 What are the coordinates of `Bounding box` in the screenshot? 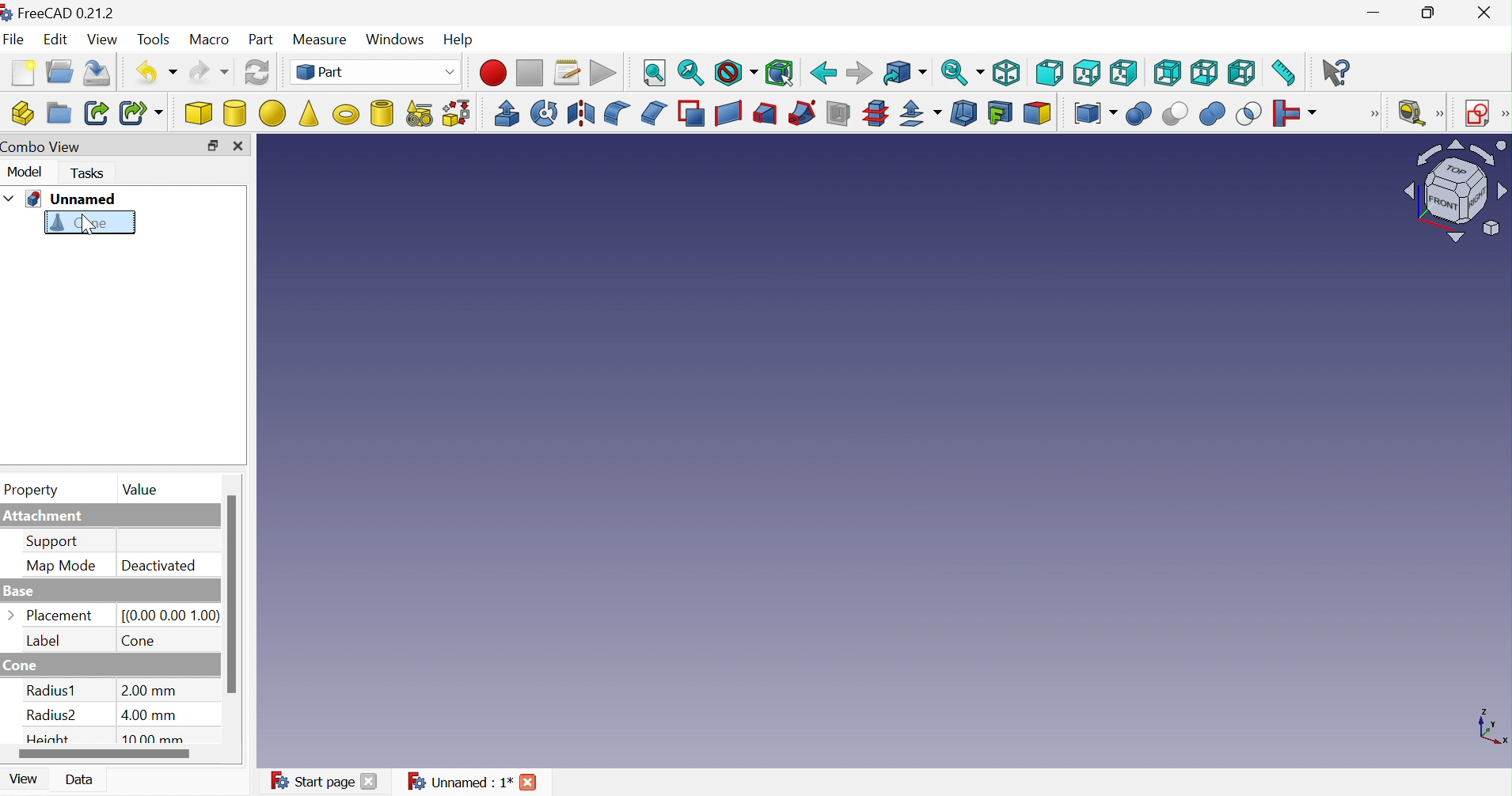 It's located at (779, 74).